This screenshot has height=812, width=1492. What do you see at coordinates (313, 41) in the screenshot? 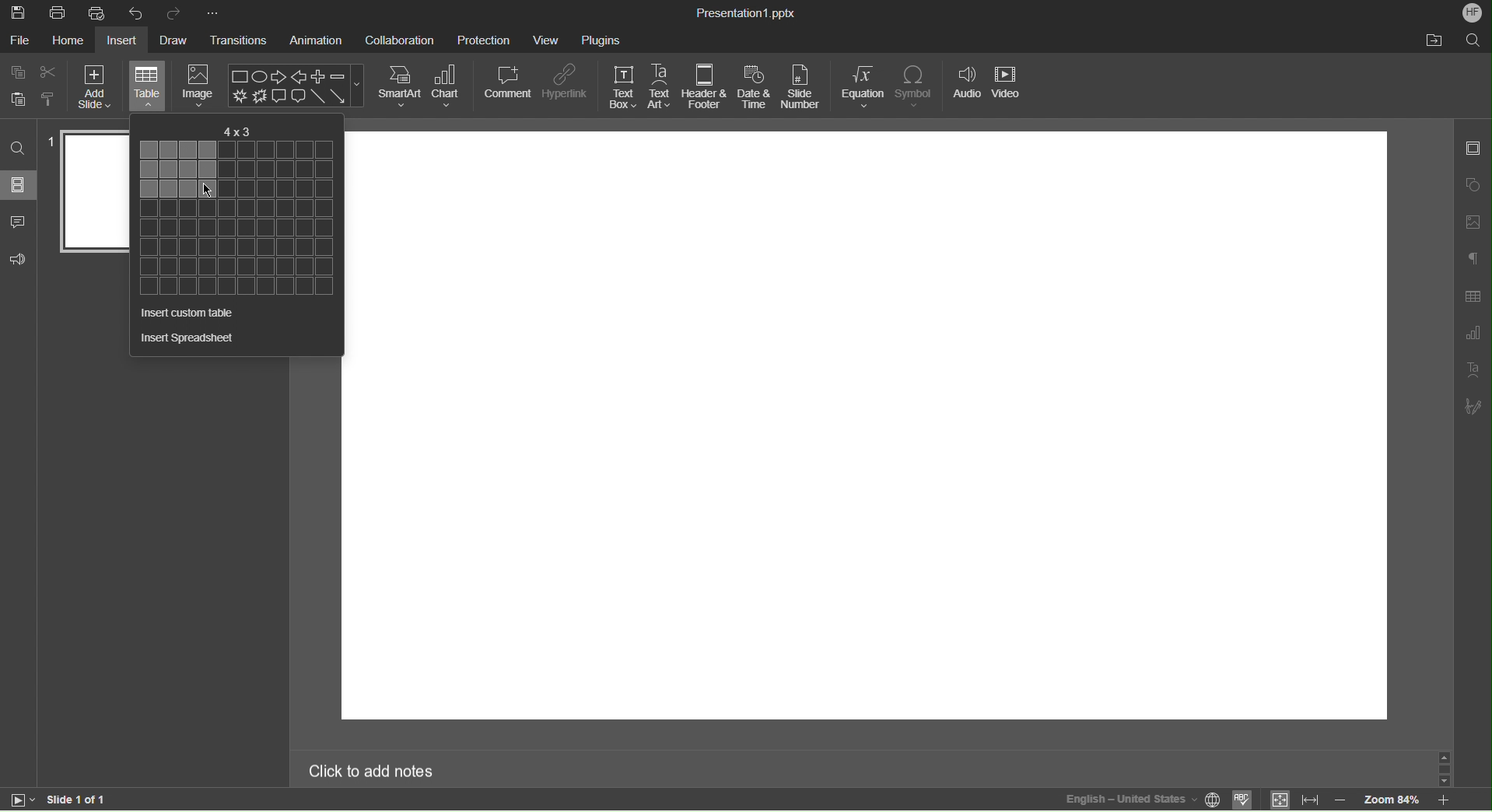
I see `Animation` at bounding box center [313, 41].